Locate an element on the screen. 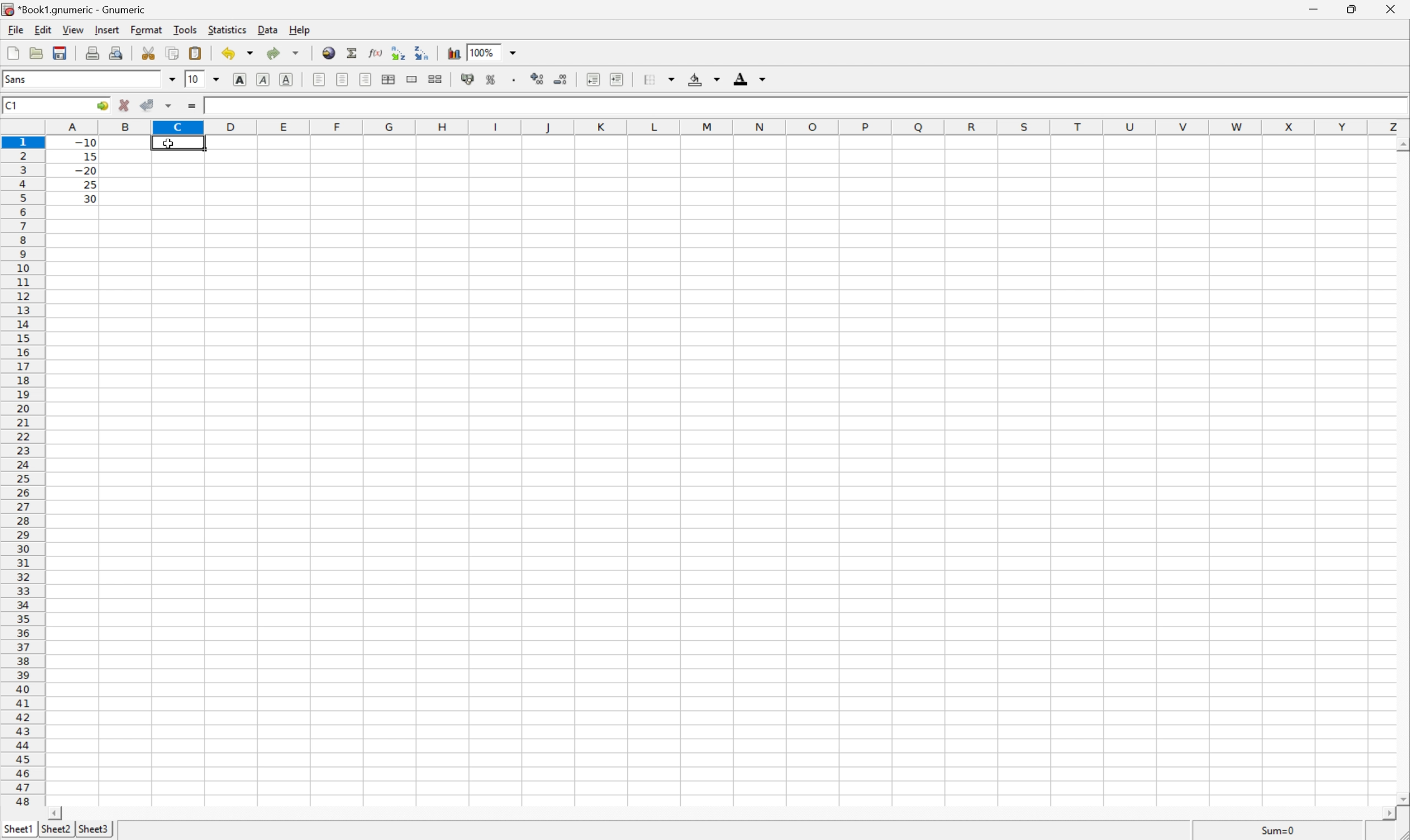  100% is located at coordinates (484, 52).